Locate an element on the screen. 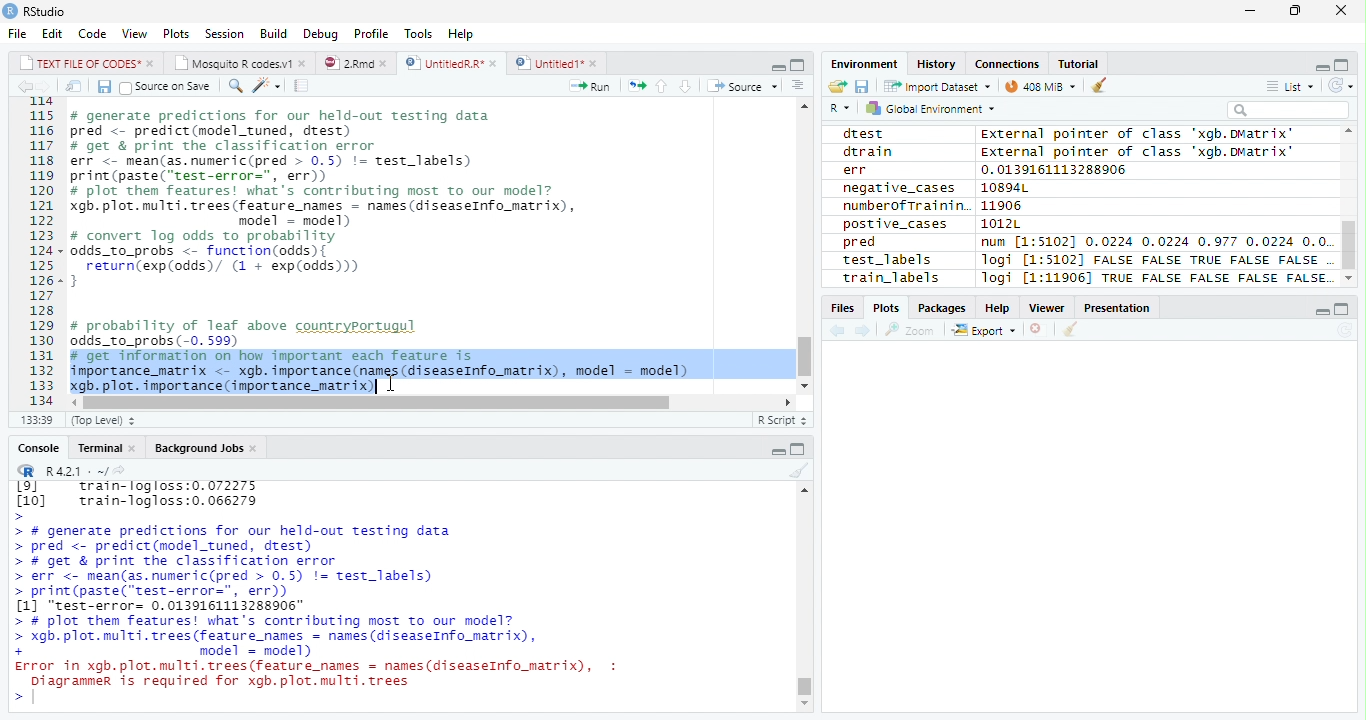 Image resolution: width=1366 pixels, height=720 pixels. Scroll is located at coordinates (805, 596).